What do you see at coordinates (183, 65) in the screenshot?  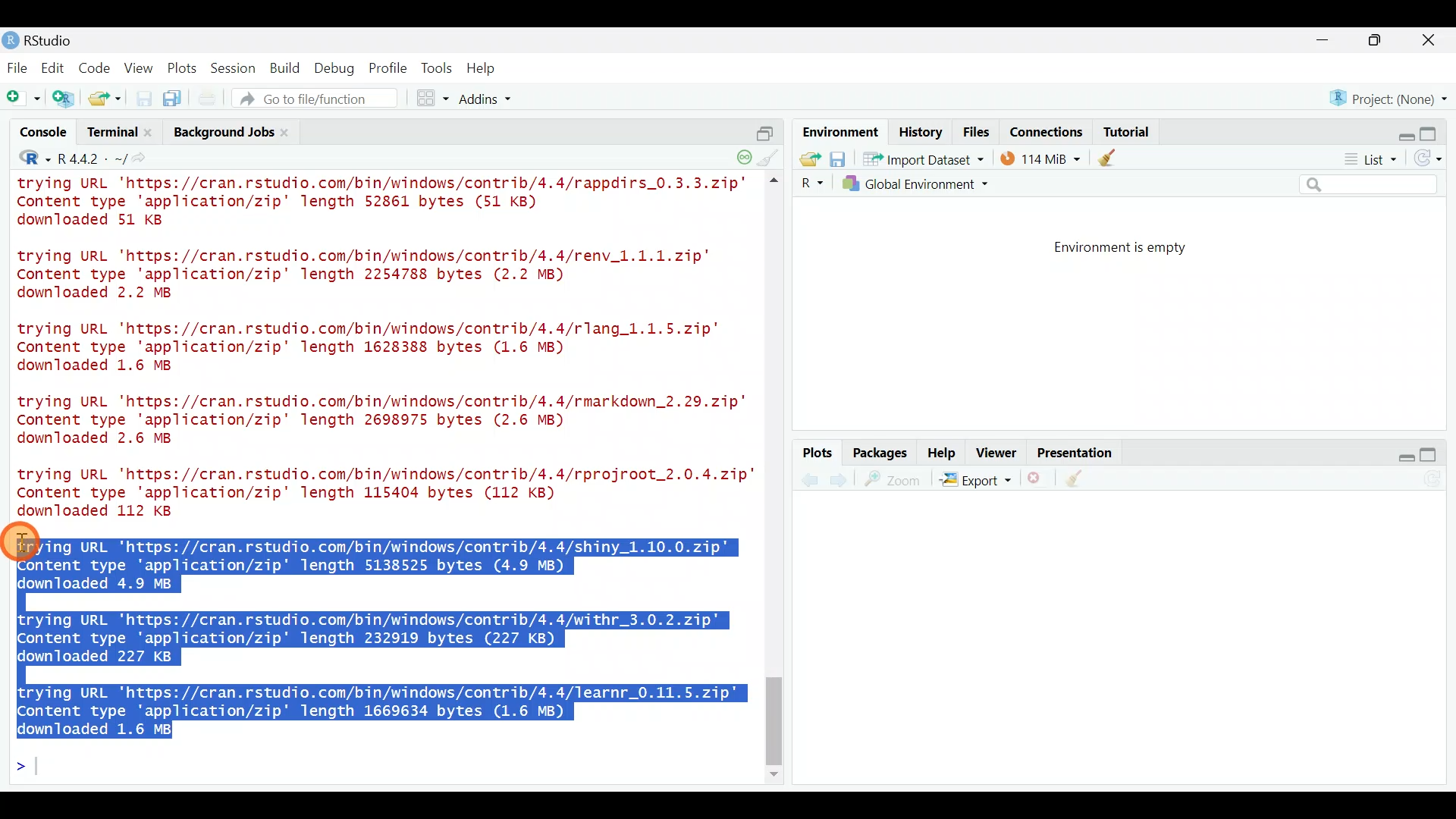 I see `Plots` at bounding box center [183, 65].